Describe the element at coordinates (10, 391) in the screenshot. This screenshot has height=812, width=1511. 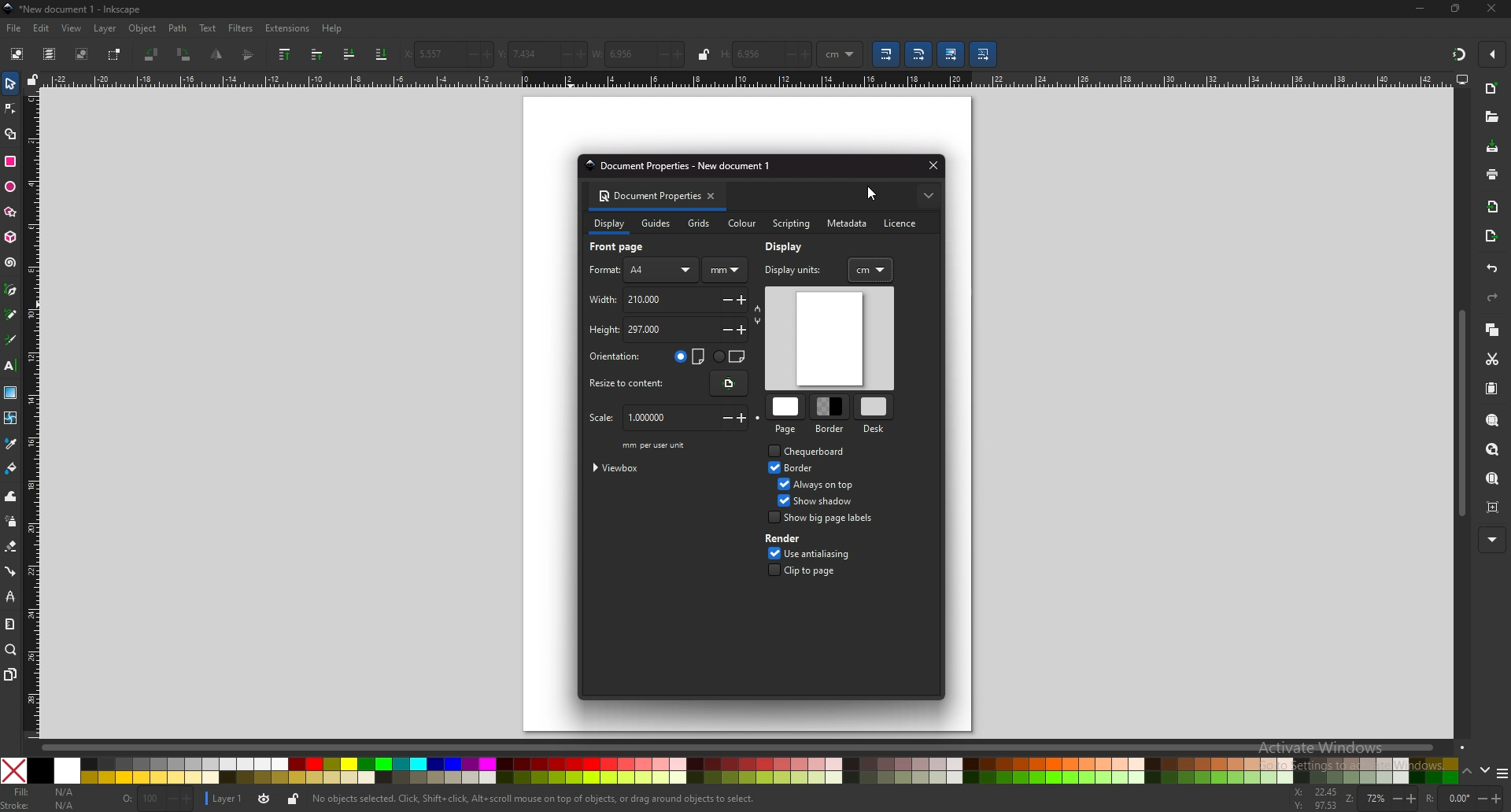
I see `gradient` at that location.